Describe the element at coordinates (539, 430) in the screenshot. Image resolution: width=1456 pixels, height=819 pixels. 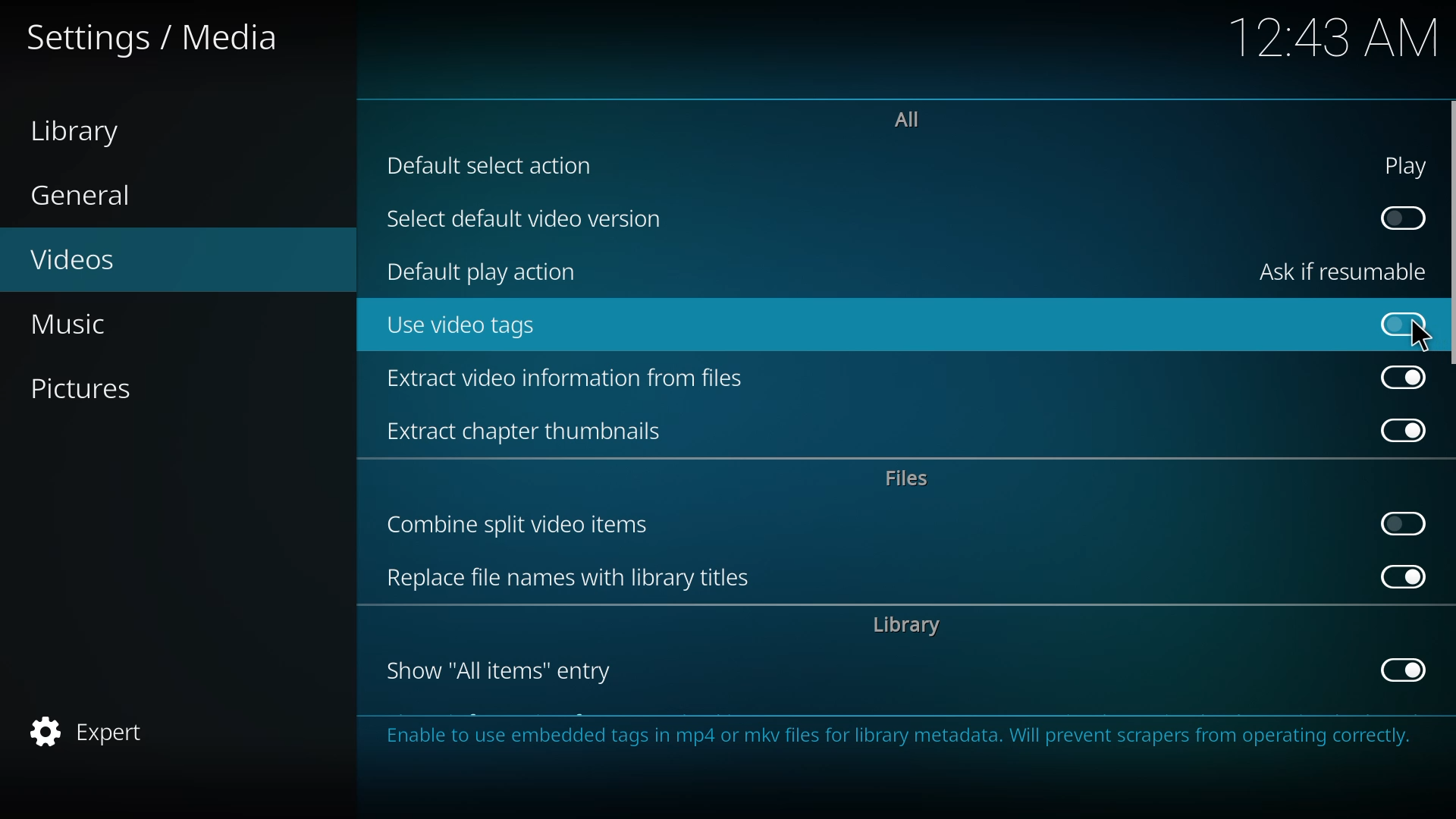
I see `extract chapter thumbnails` at that location.